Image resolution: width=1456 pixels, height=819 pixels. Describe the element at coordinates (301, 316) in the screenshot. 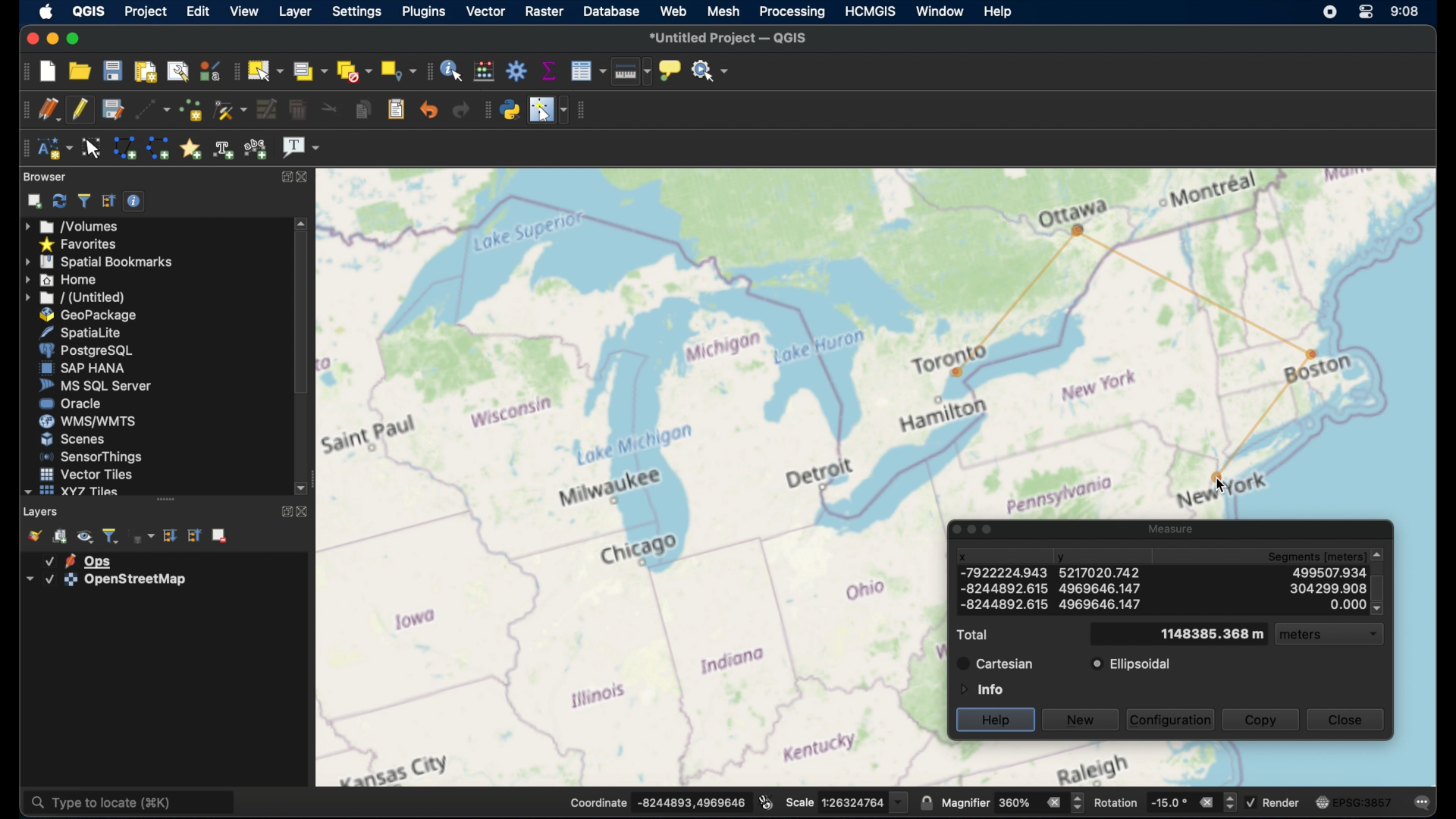

I see `scroll box` at that location.